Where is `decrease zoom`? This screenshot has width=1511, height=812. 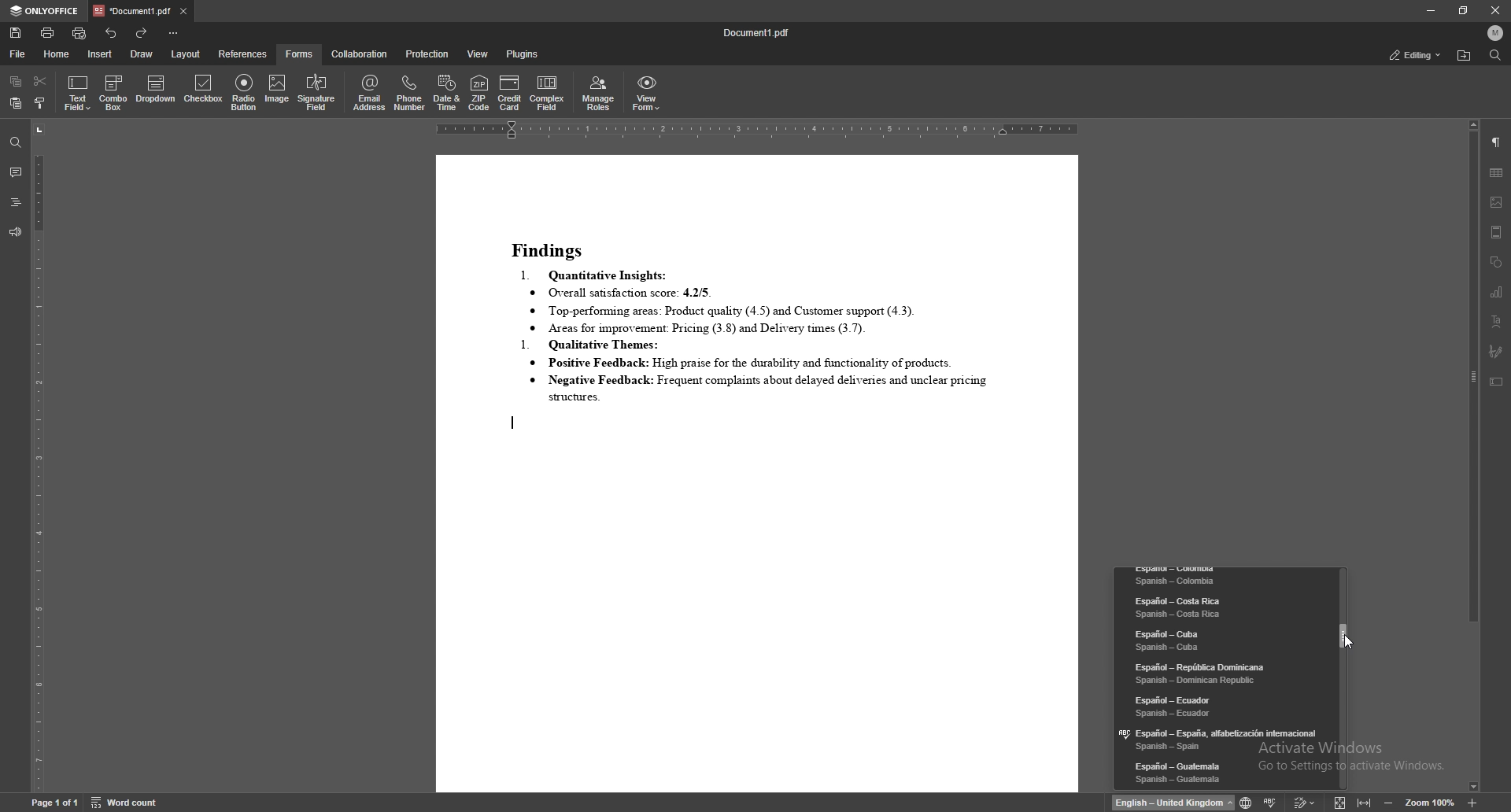 decrease zoom is located at coordinates (1387, 802).